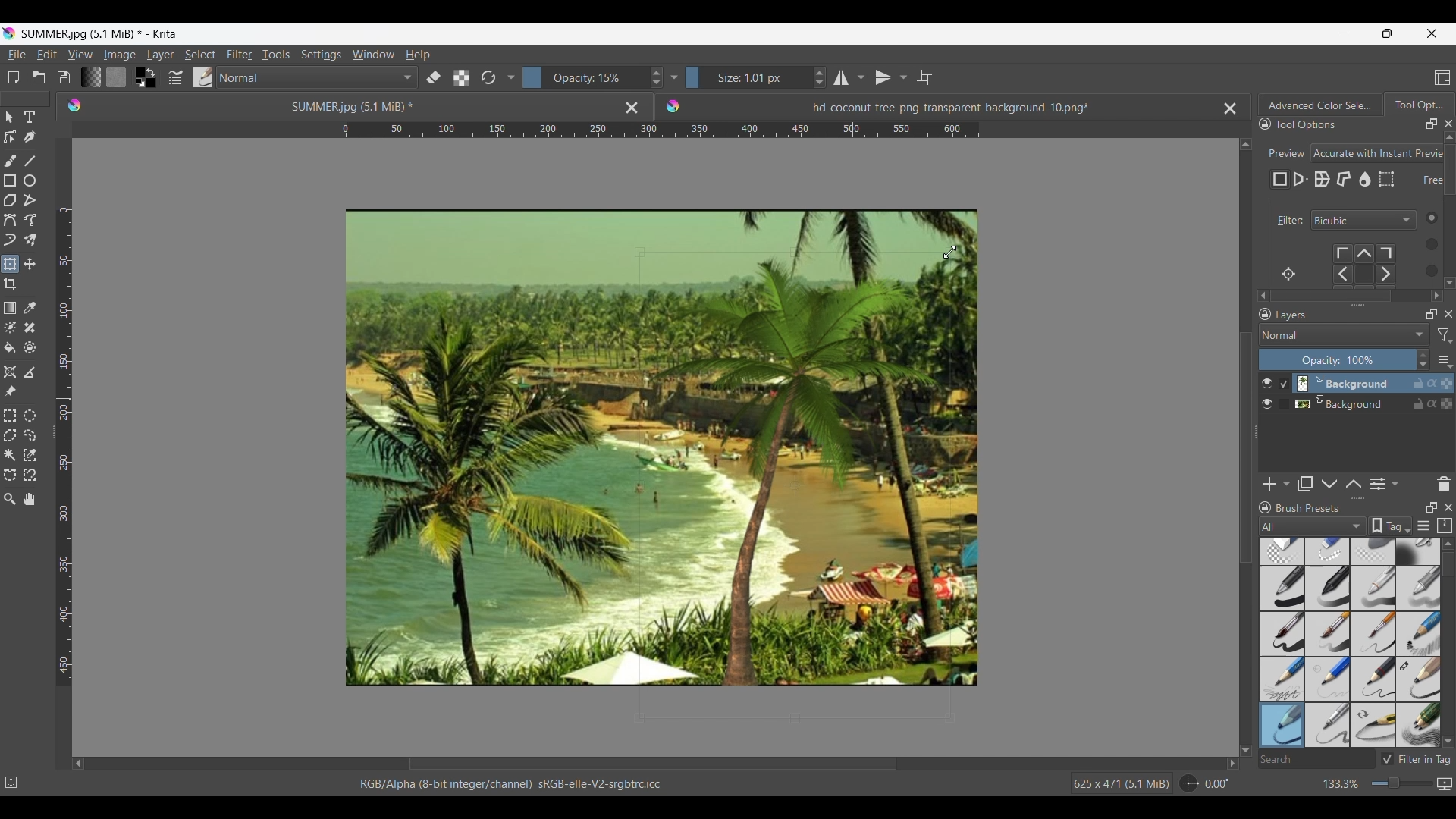 Image resolution: width=1456 pixels, height=819 pixels. Describe the element at coordinates (80, 55) in the screenshot. I see `View` at that location.